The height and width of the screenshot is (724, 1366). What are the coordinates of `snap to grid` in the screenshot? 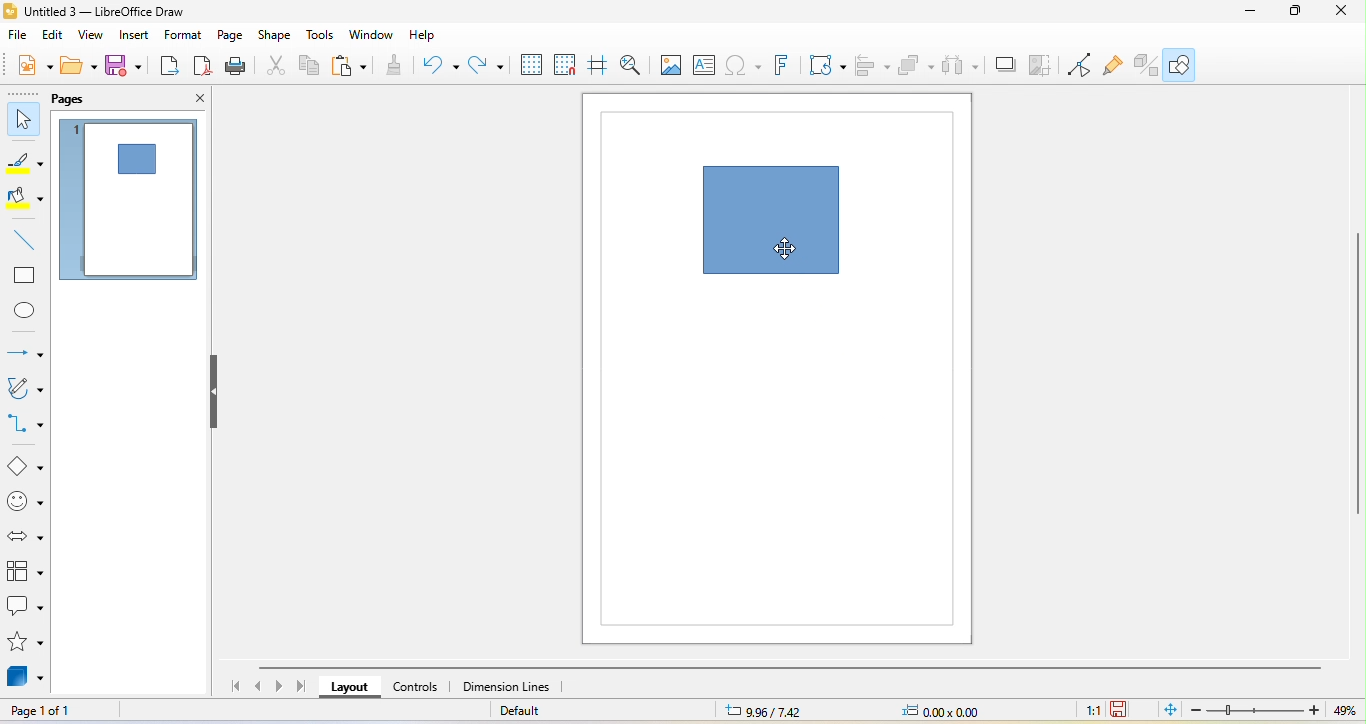 It's located at (564, 68).